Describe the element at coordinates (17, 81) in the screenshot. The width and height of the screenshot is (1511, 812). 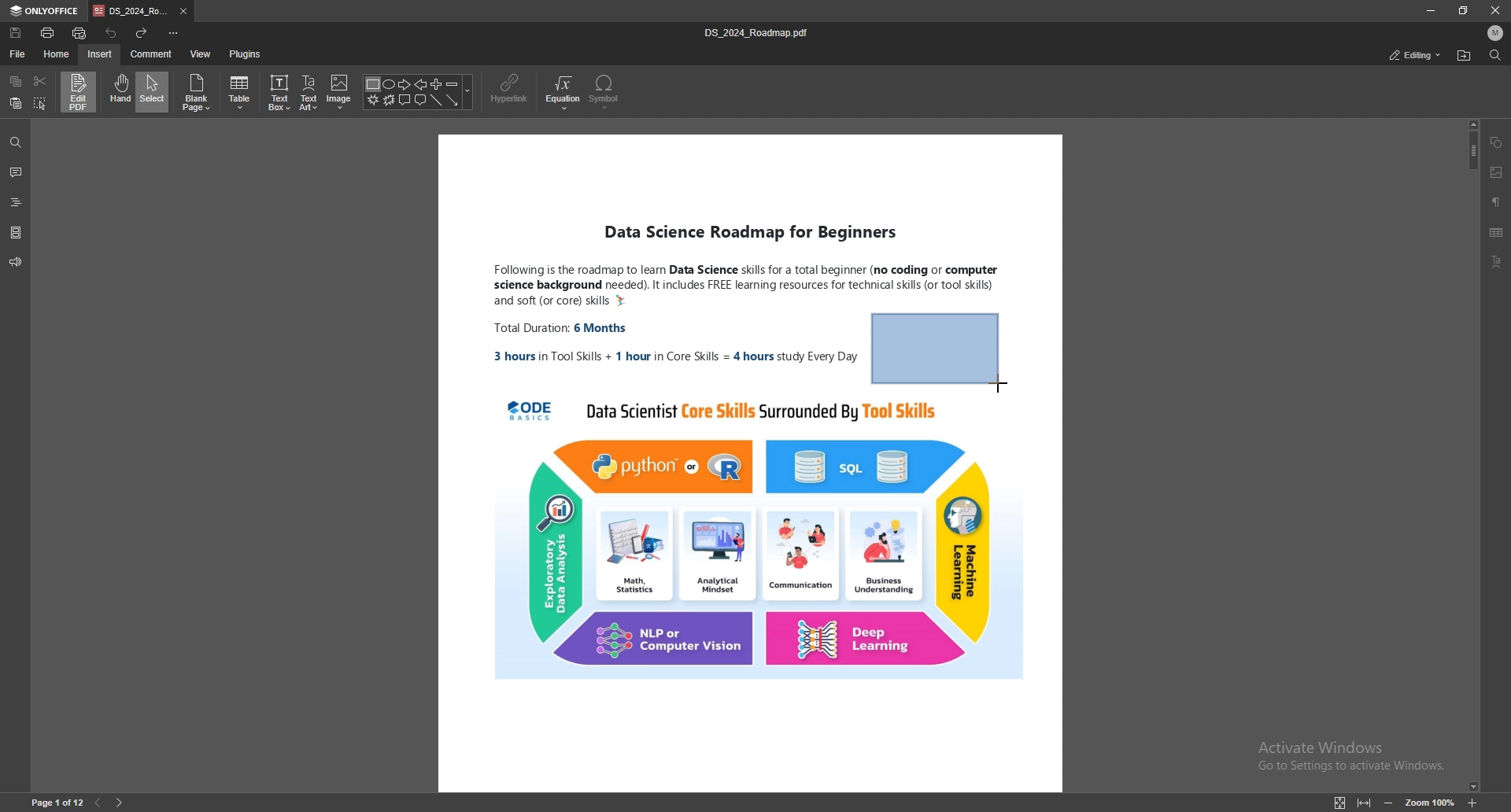
I see `copy` at that location.